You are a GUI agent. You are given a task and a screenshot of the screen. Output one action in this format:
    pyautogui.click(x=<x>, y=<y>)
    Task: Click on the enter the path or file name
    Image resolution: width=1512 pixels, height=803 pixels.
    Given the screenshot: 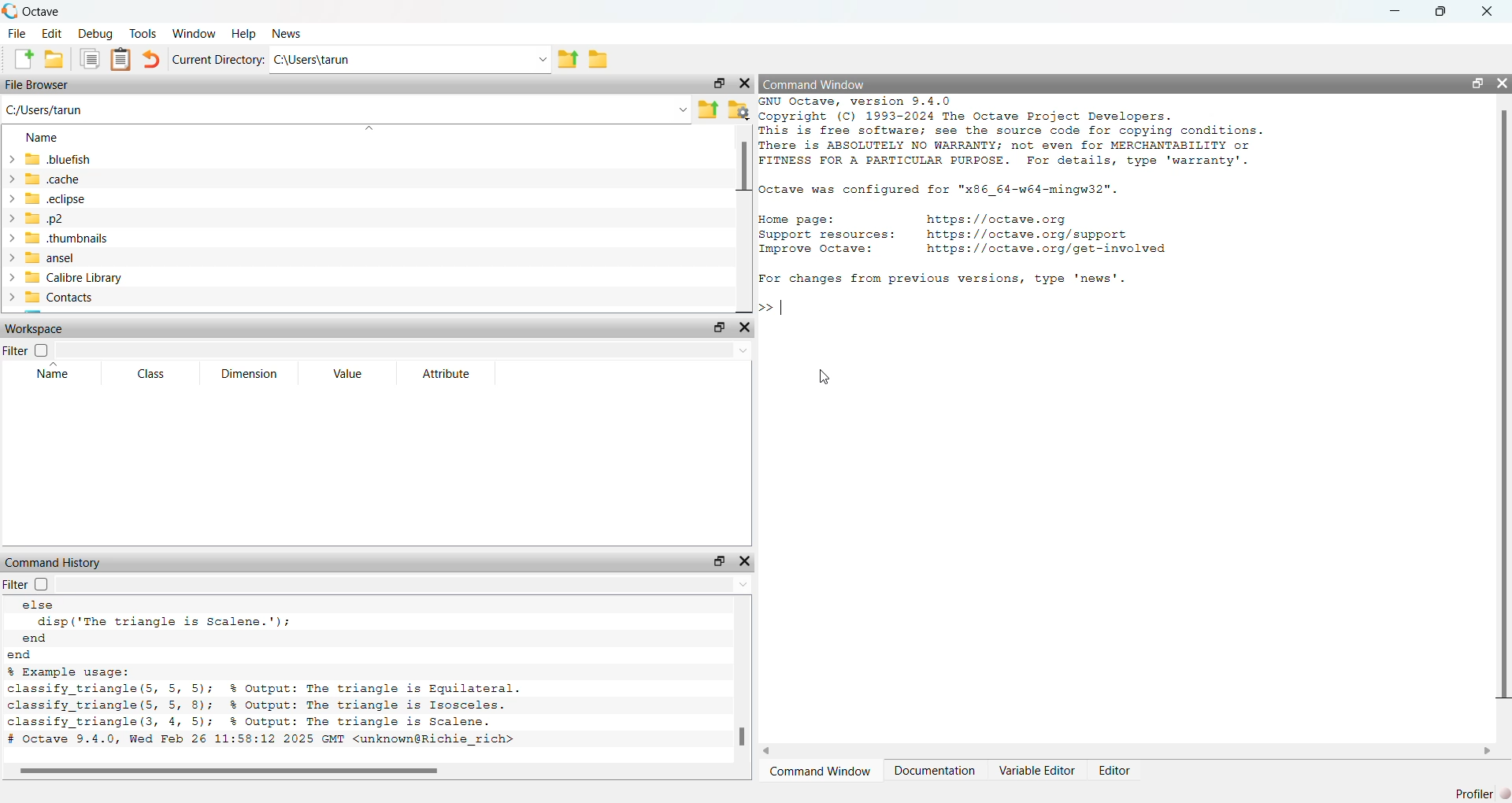 What is the action you would take?
    pyautogui.click(x=345, y=109)
    